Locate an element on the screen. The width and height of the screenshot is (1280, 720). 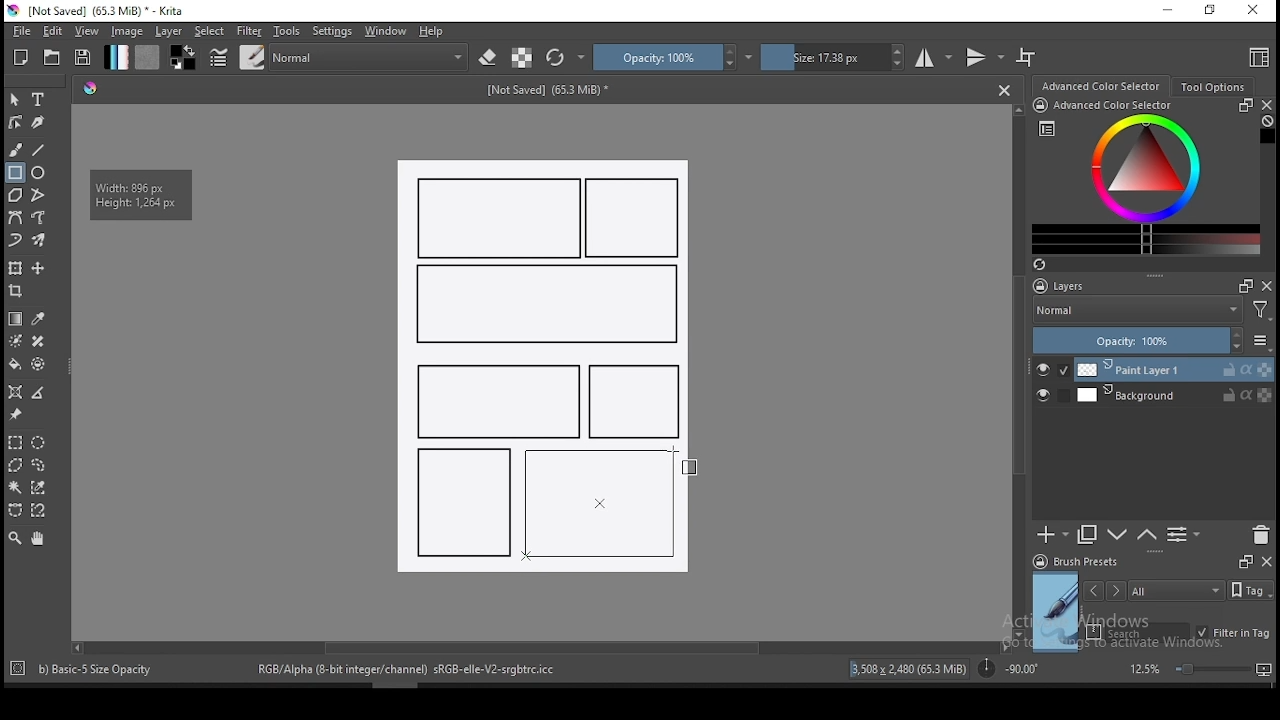
Refresh is located at coordinates (1047, 266).